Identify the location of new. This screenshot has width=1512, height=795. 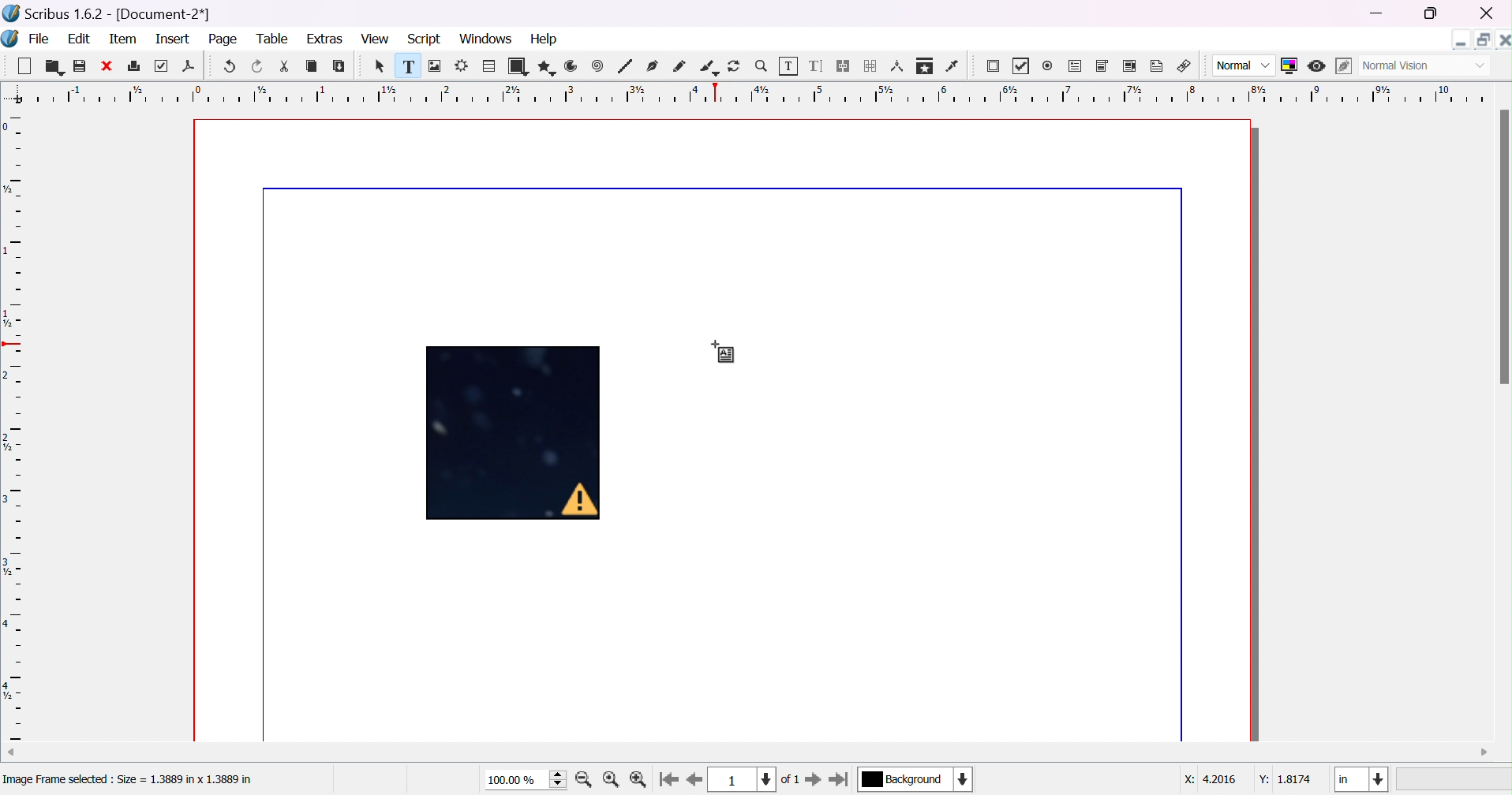
(22, 64).